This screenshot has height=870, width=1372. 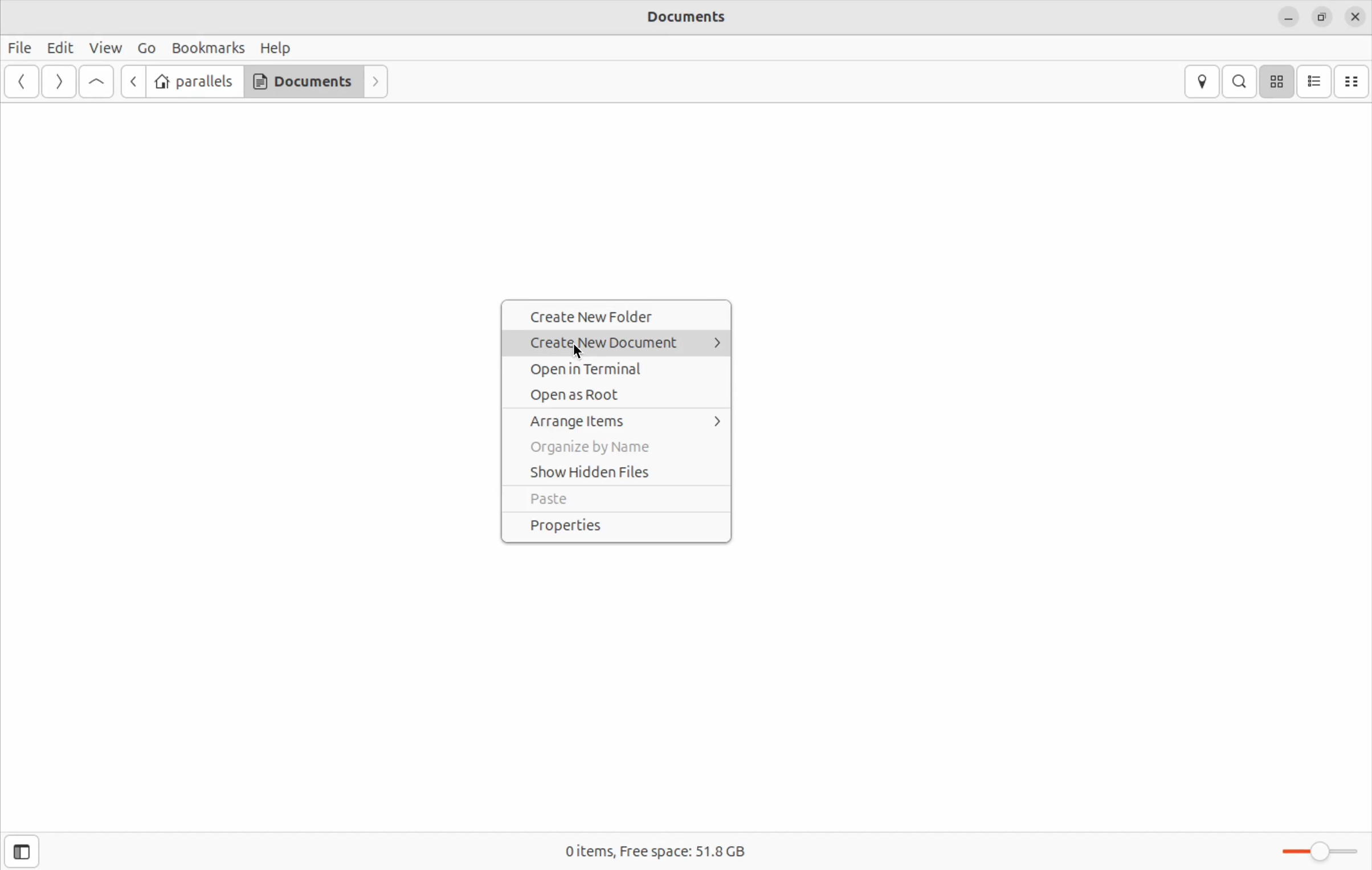 What do you see at coordinates (23, 83) in the screenshot?
I see `back ward` at bounding box center [23, 83].